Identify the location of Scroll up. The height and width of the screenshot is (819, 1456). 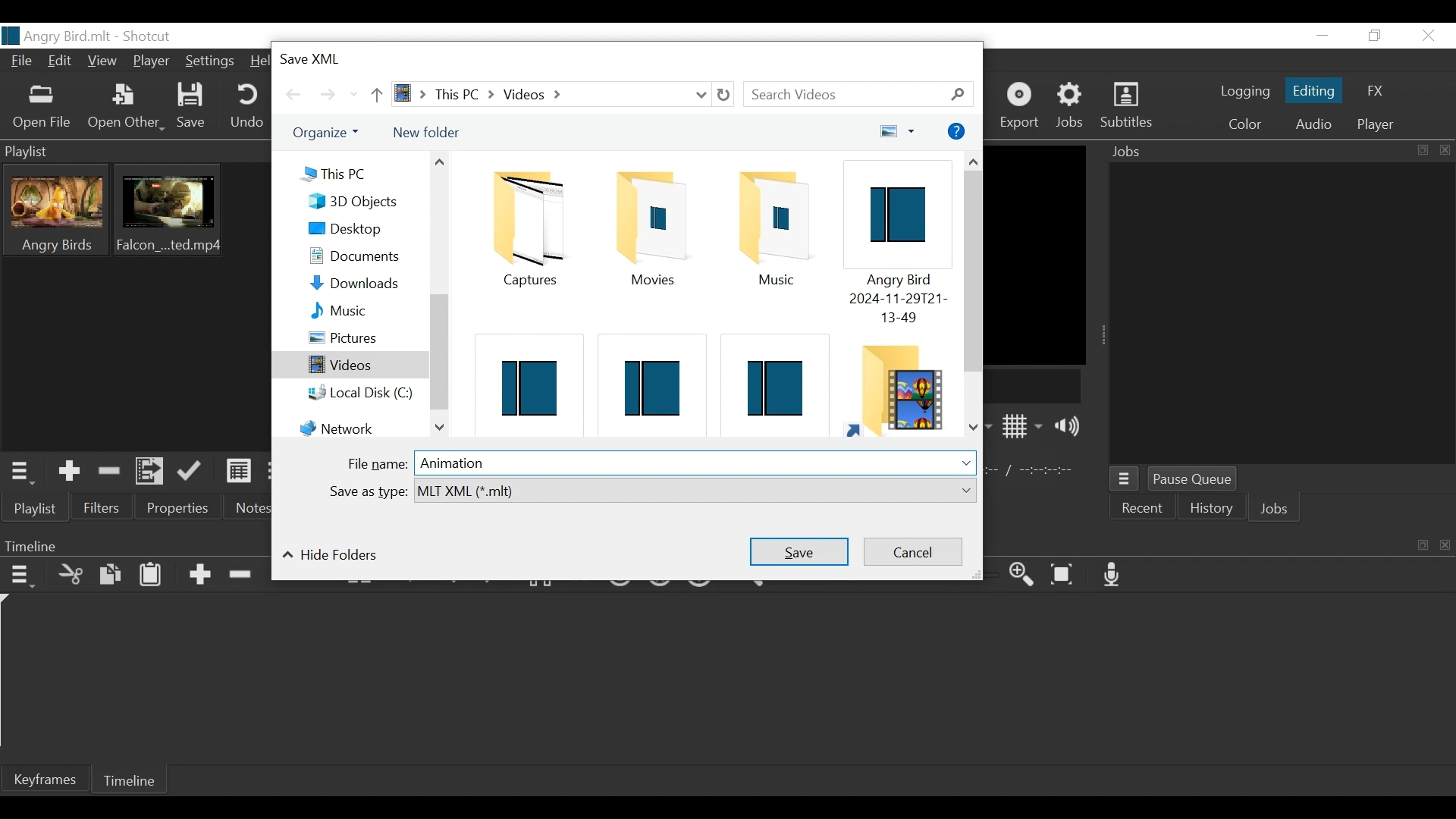
(438, 162).